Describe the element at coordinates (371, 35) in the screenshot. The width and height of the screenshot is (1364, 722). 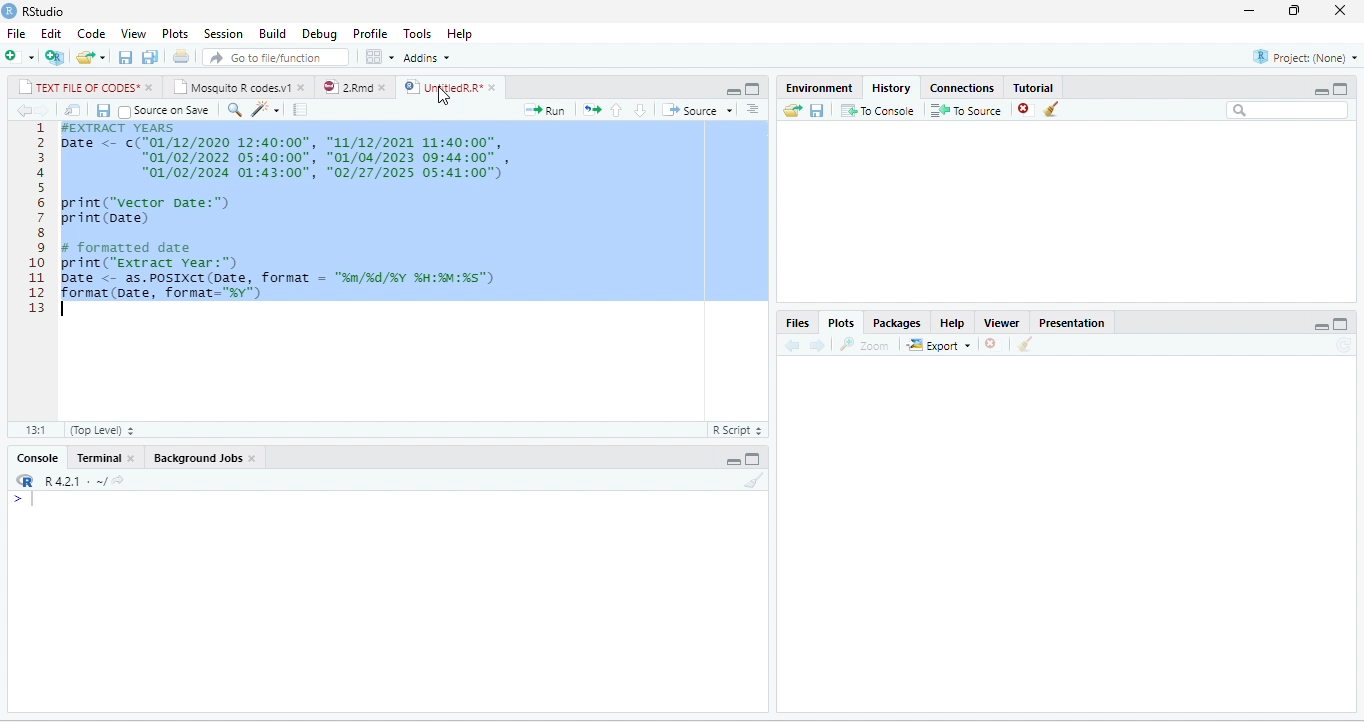
I see `Profile` at that location.